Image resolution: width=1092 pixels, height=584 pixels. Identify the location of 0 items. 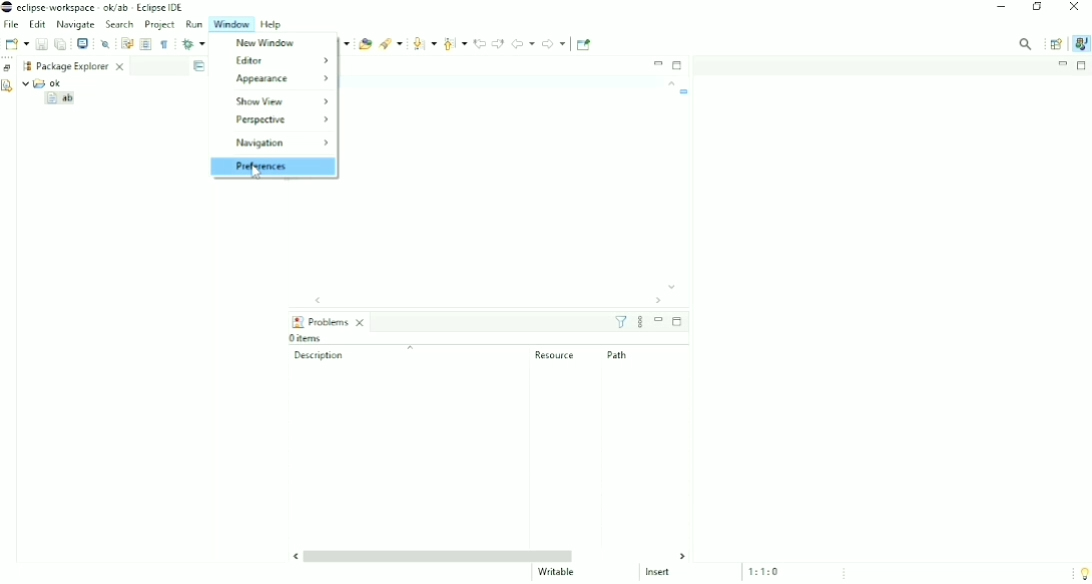
(306, 338).